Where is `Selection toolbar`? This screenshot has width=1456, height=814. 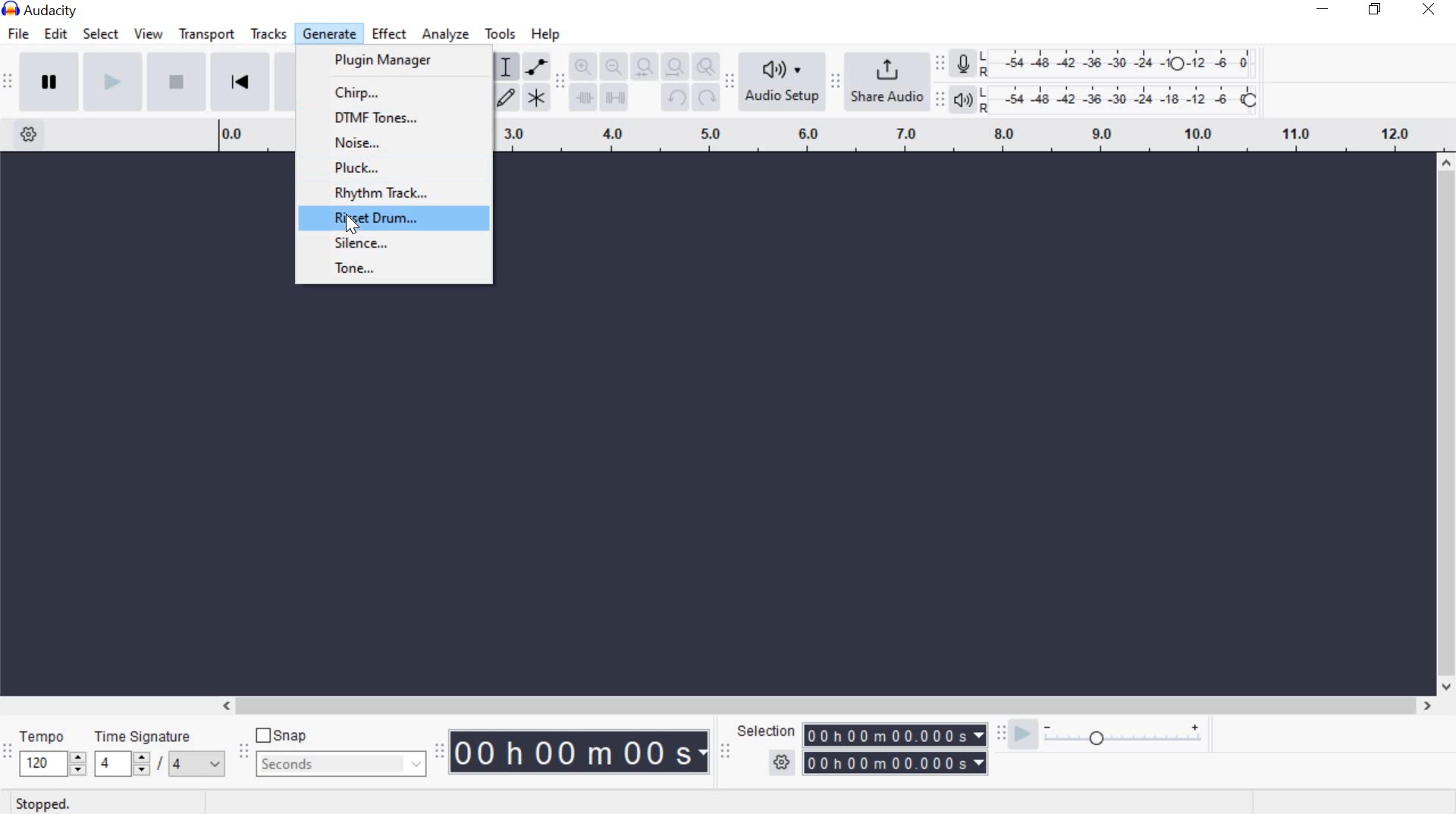 Selection toolbar is located at coordinates (727, 751).